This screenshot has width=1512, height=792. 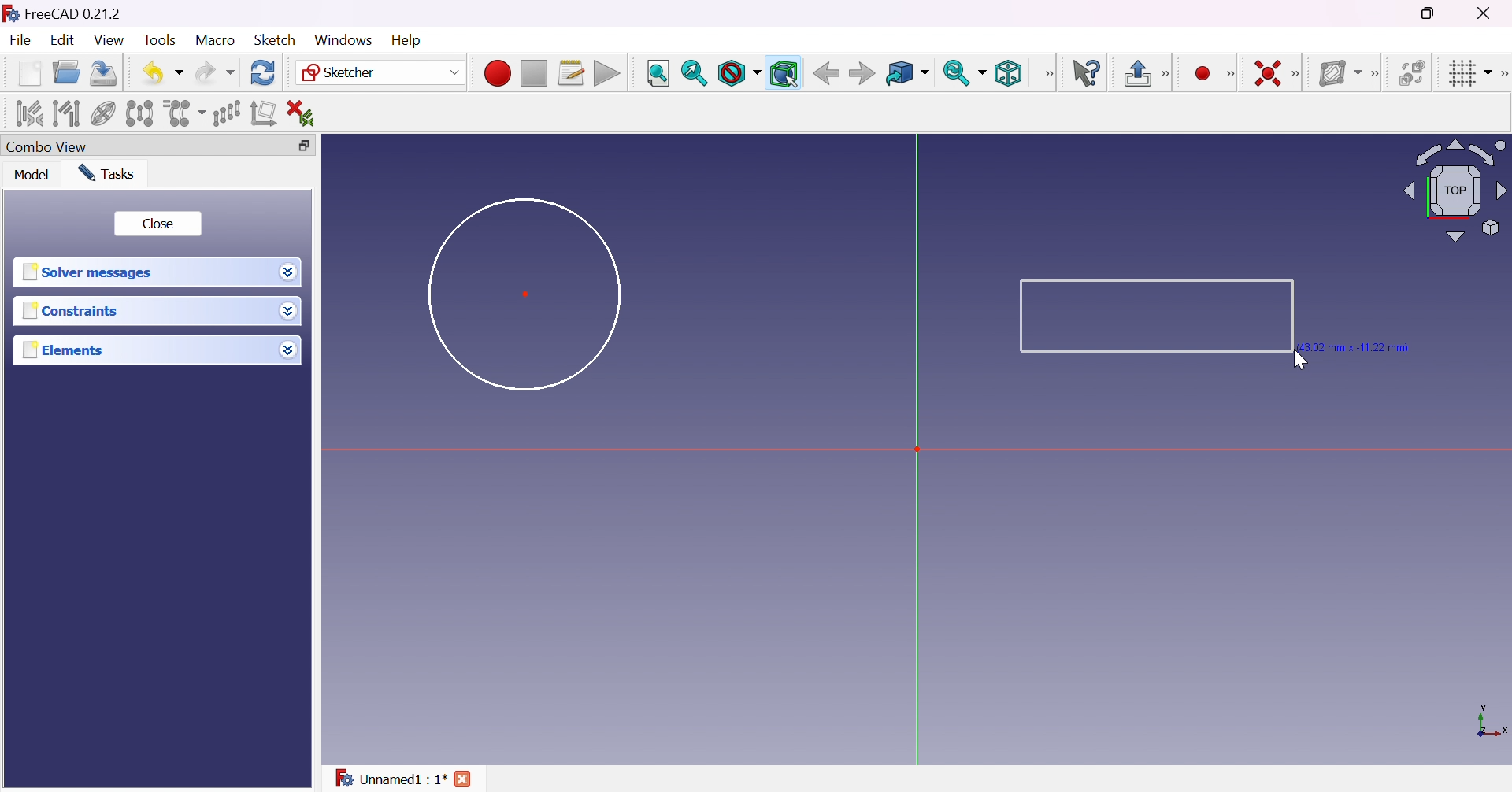 I want to click on Leave sketch, so click(x=1147, y=73).